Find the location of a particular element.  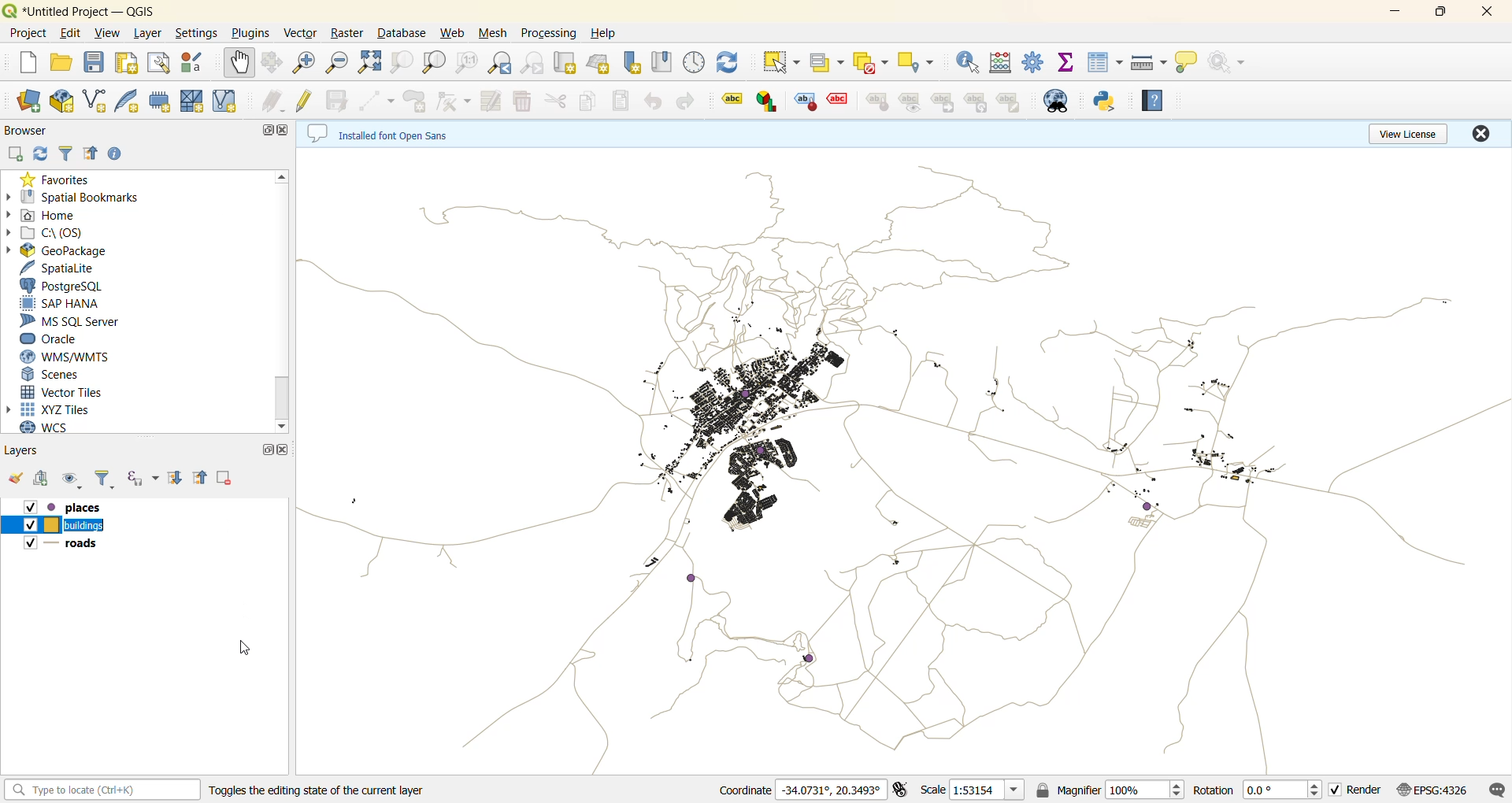

web is located at coordinates (454, 35).